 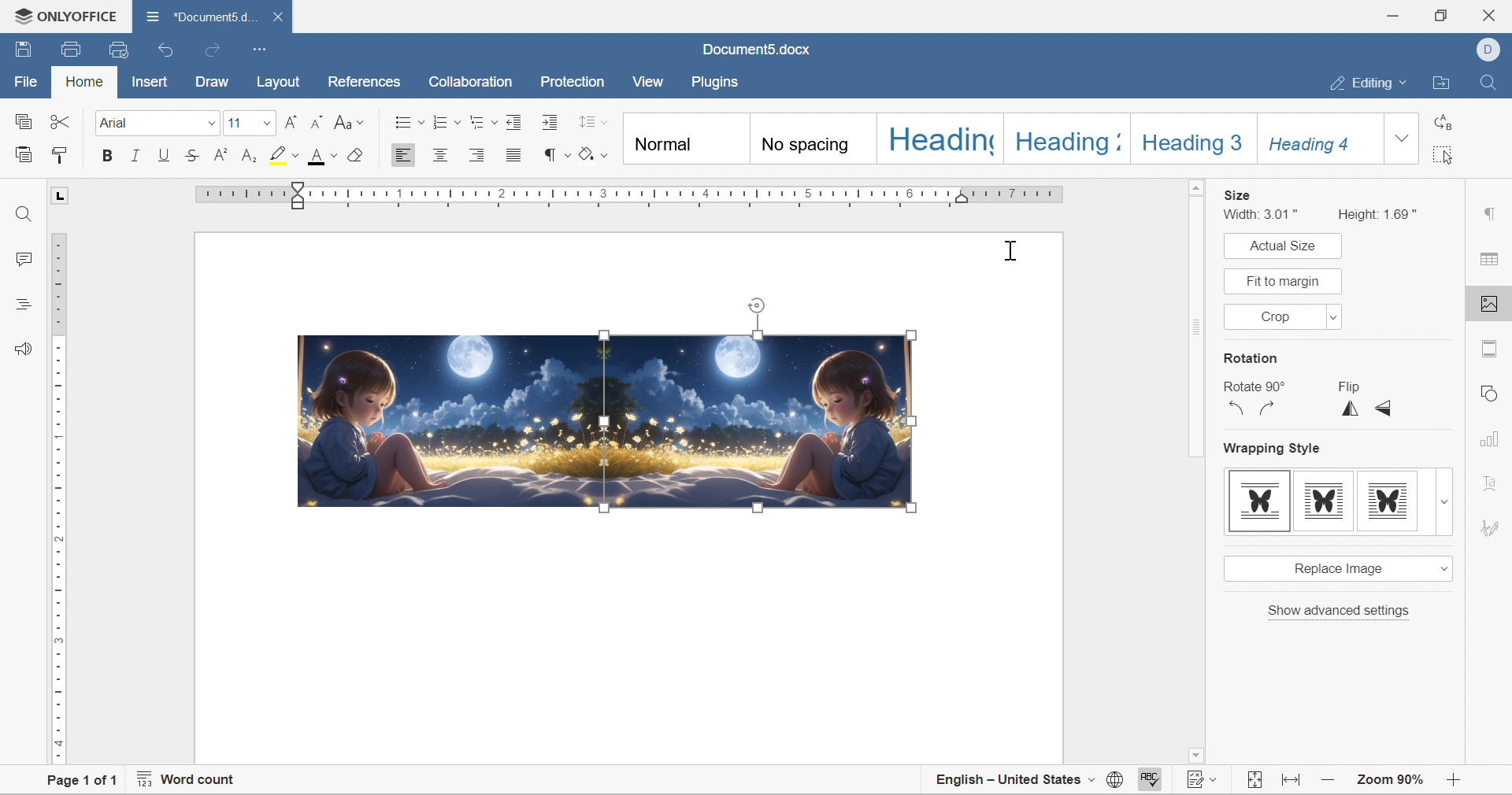 What do you see at coordinates (60, 154) in the screenshot?
I see `copy style` at bounding box center [60, 154].